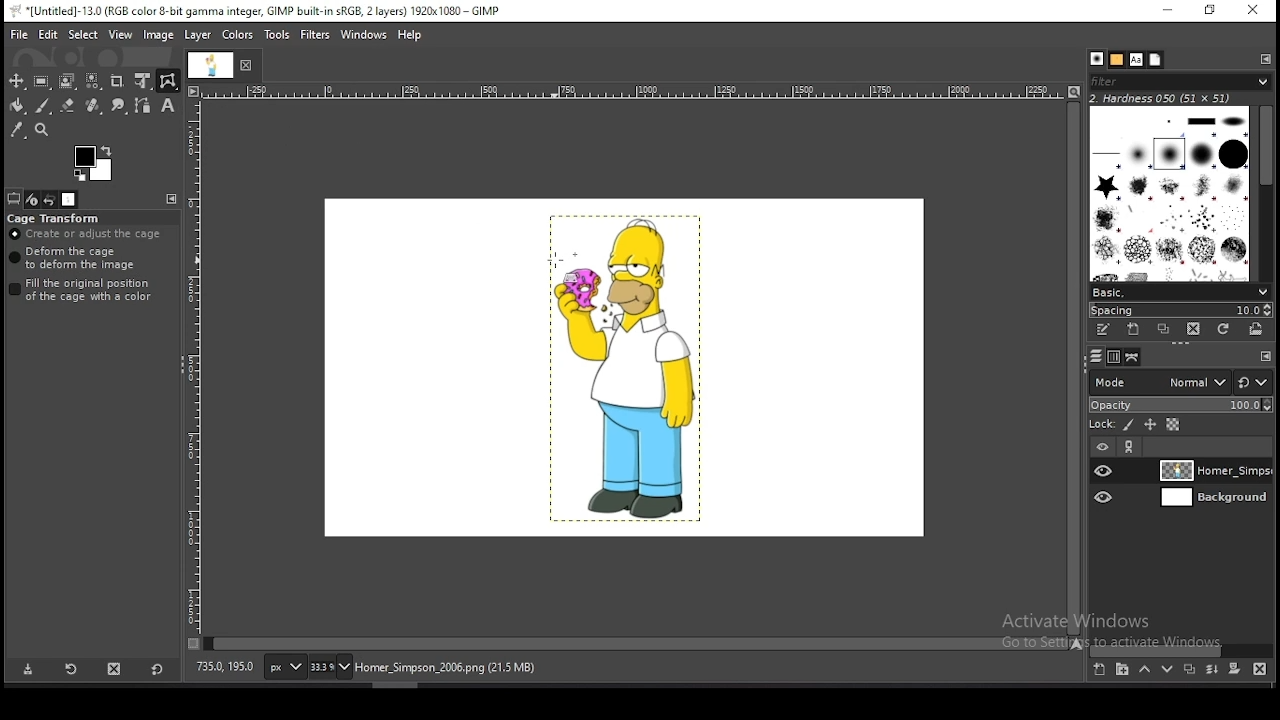  I want to click on fonts, so click(1135, 59).